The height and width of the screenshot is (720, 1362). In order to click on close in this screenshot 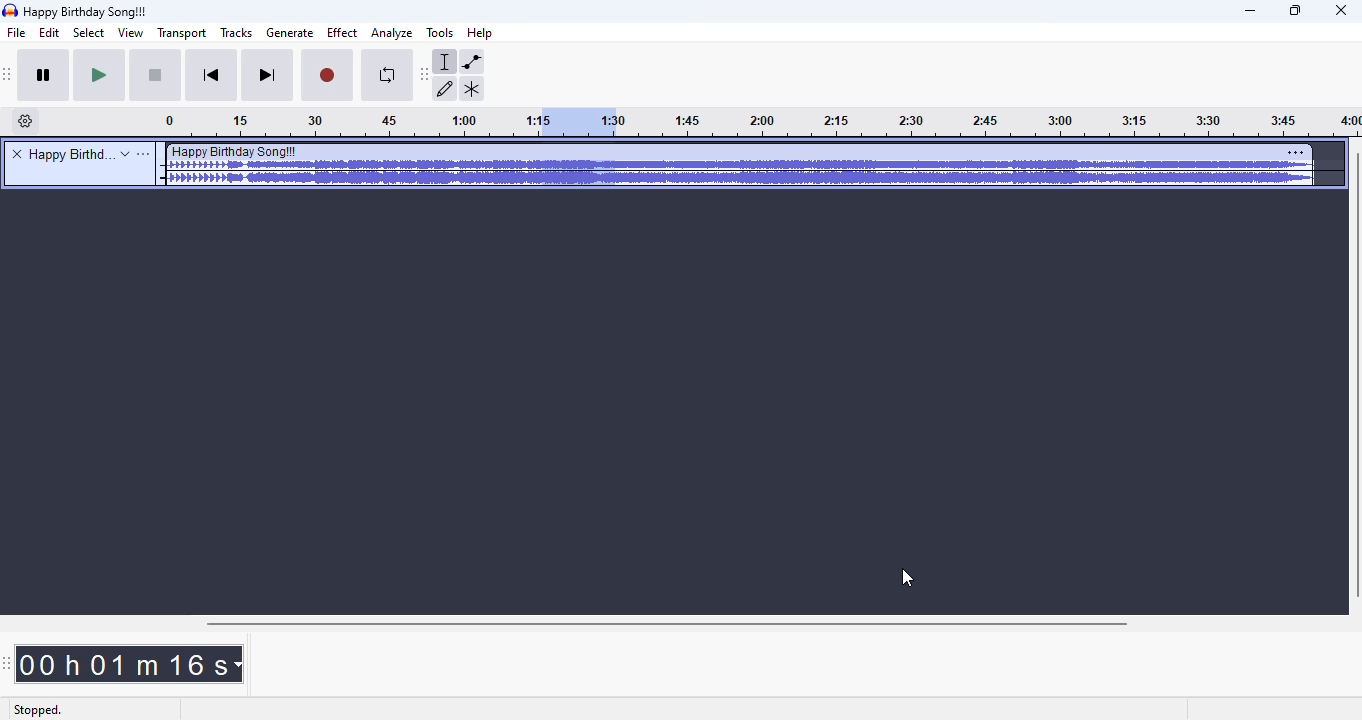, I will do `click(1341, 11)`.